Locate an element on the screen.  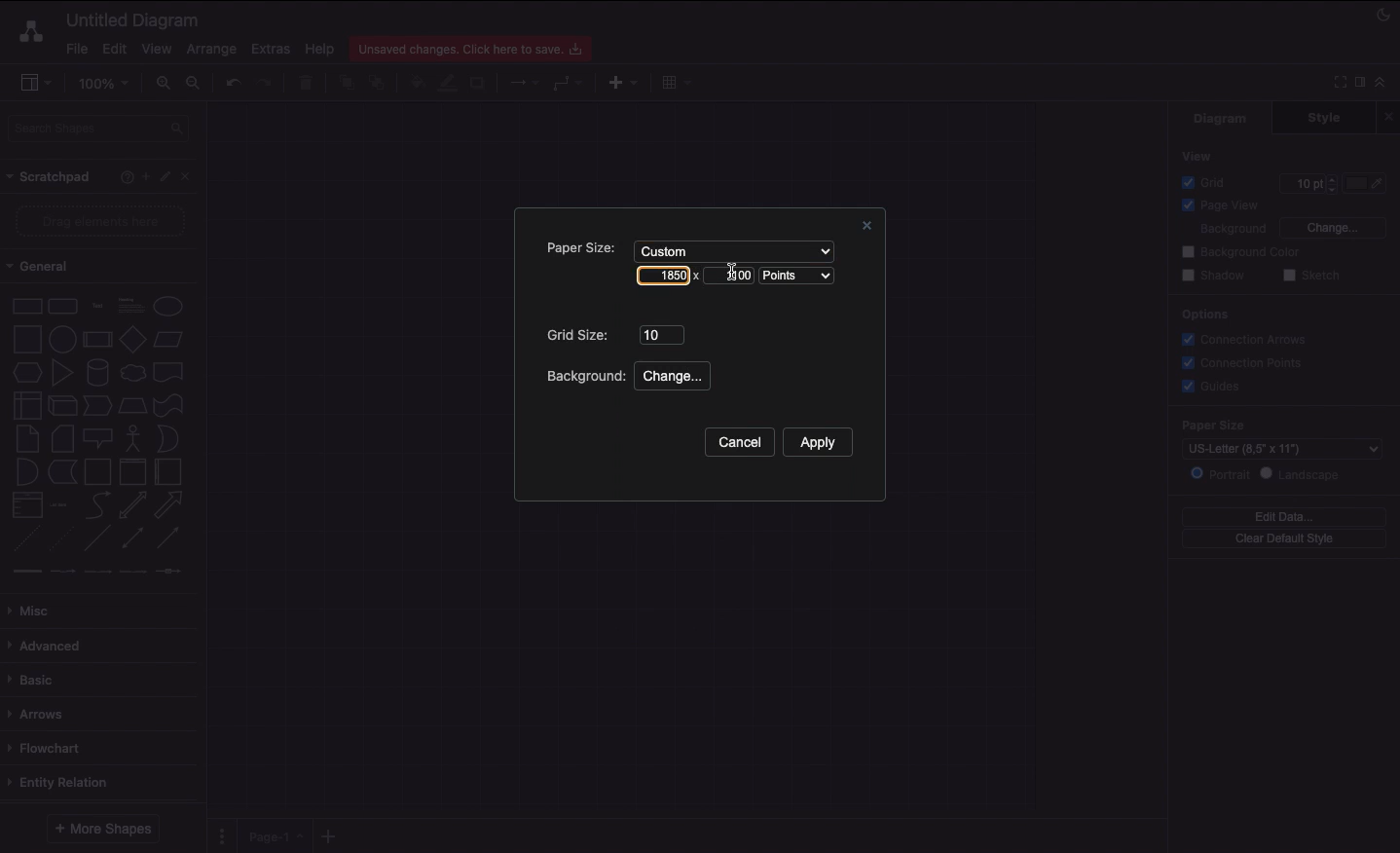
Zoom in is located at coordinates (163, 84).